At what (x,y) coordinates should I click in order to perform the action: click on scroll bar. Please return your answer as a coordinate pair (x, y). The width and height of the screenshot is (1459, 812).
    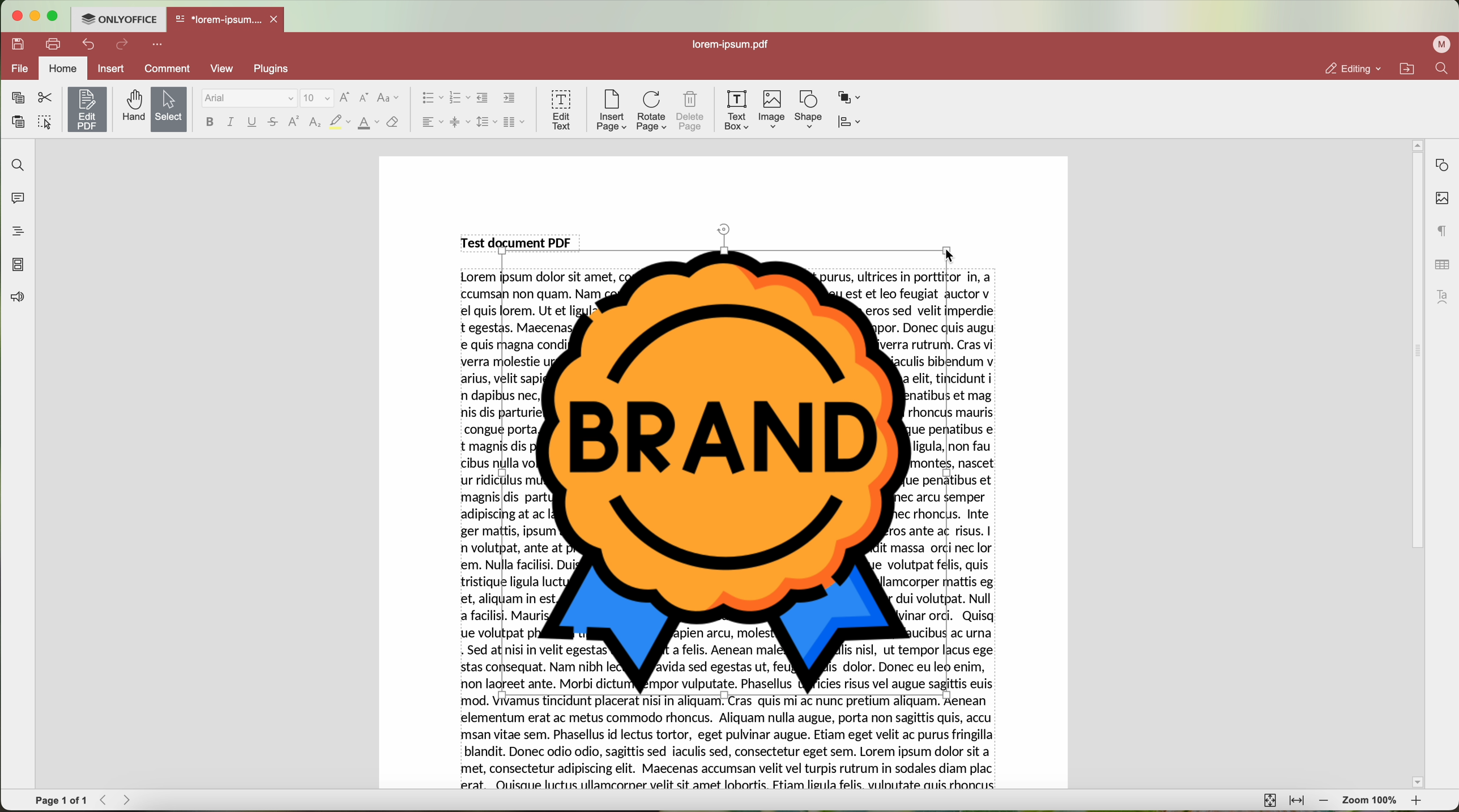
    Looking at the image, I should click on (1411, 464).